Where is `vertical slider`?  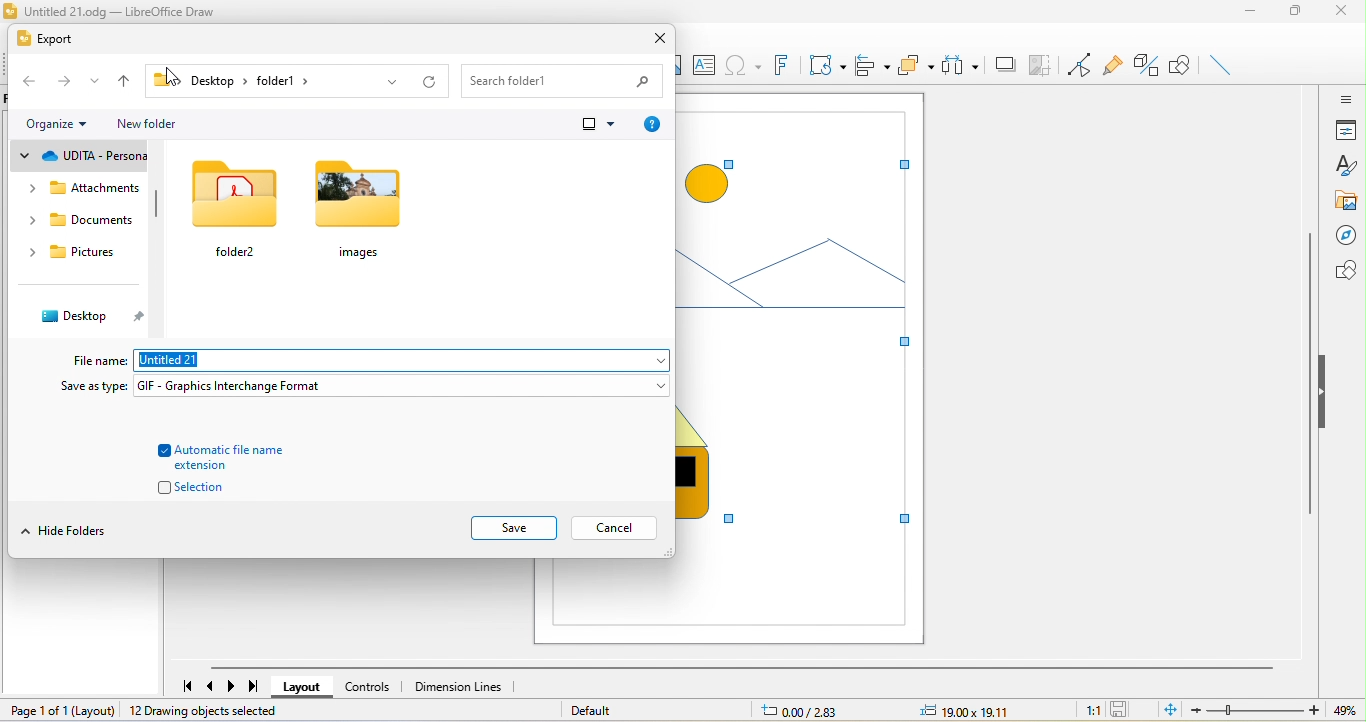
vertical slider is located at coordinates (1310, 373).